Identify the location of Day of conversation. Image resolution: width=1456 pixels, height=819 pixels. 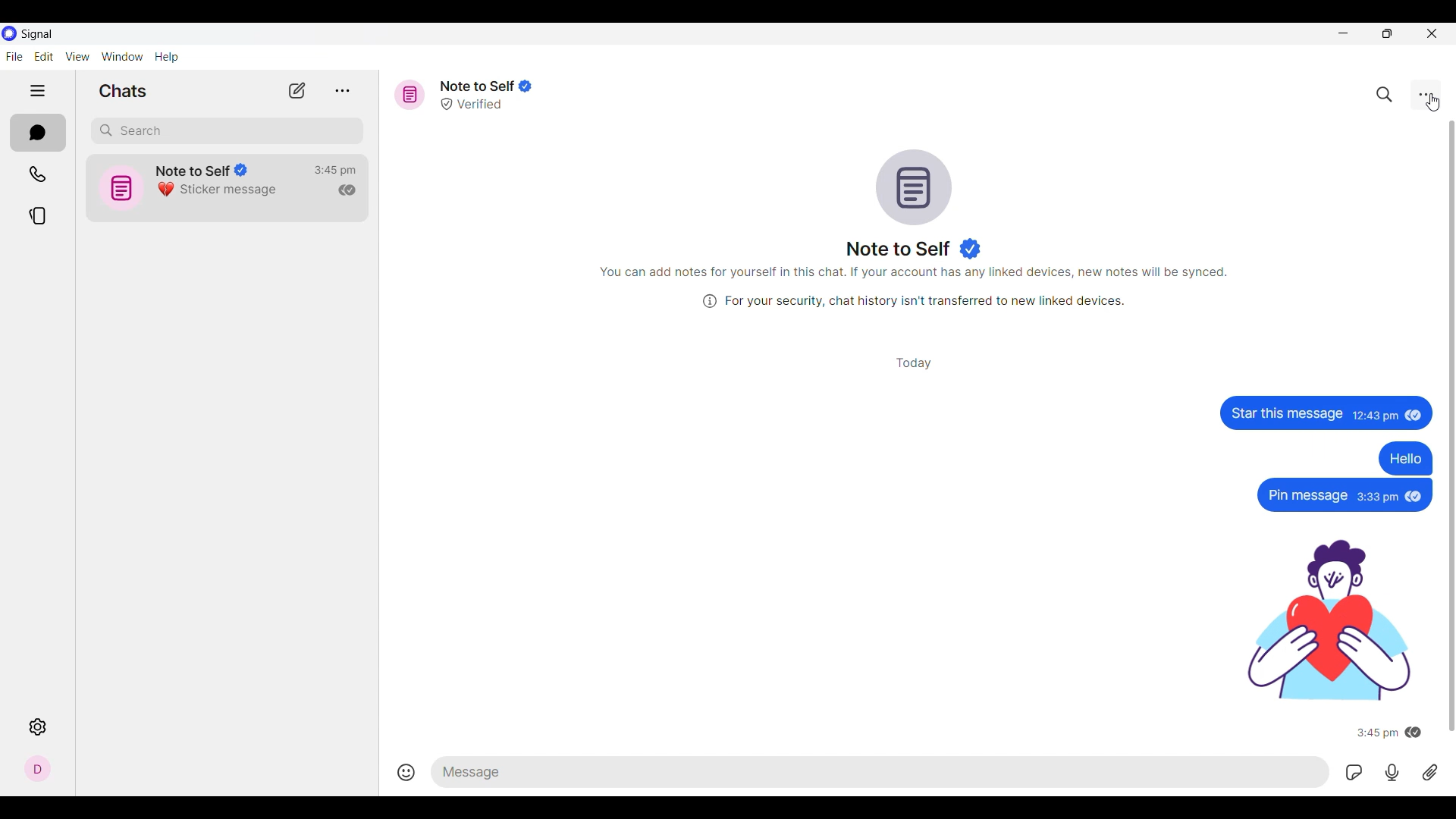
(914, 362).